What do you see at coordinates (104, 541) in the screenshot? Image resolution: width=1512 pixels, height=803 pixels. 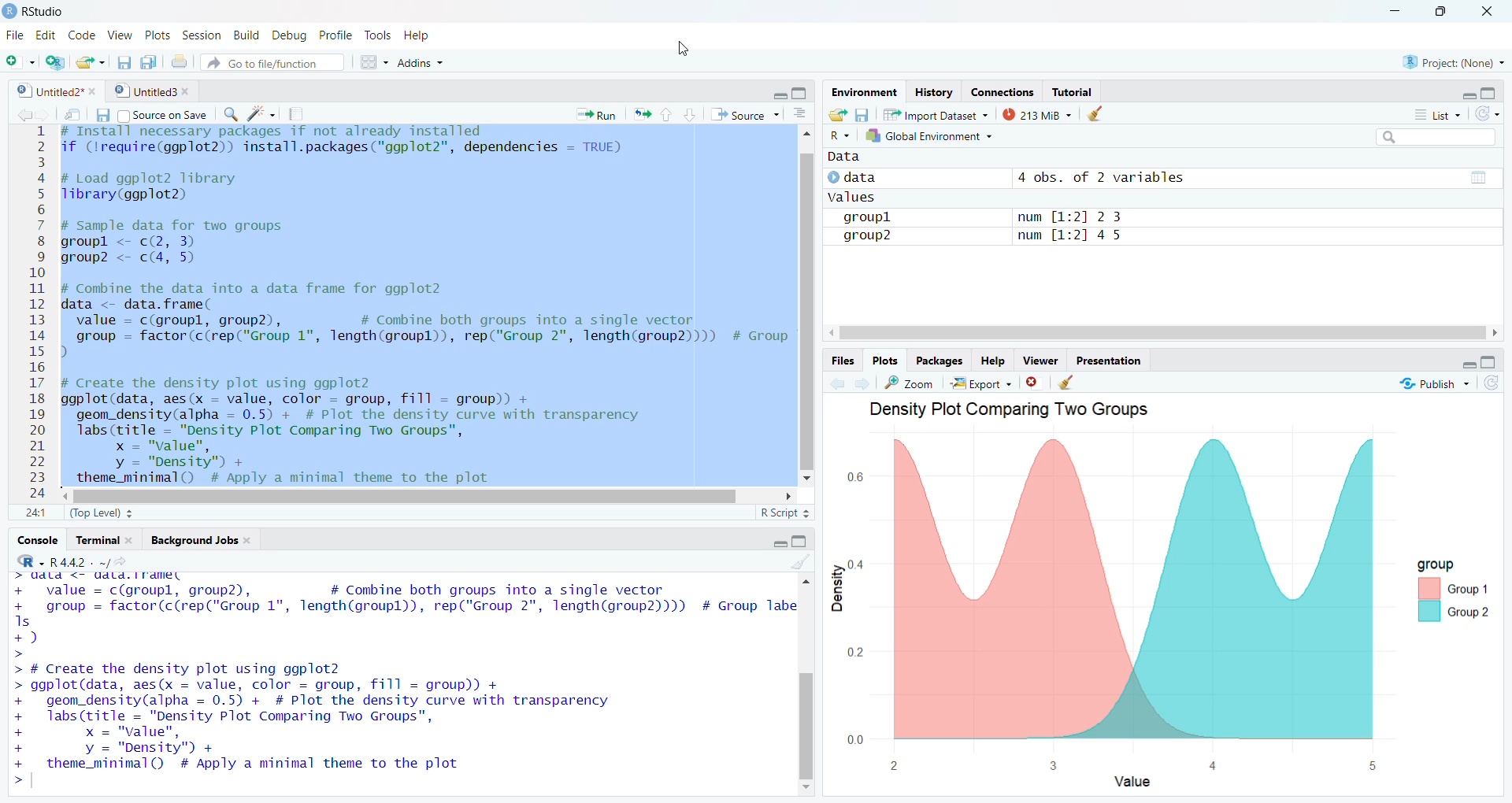 I see `terminal` at bounding box center [104, 541].